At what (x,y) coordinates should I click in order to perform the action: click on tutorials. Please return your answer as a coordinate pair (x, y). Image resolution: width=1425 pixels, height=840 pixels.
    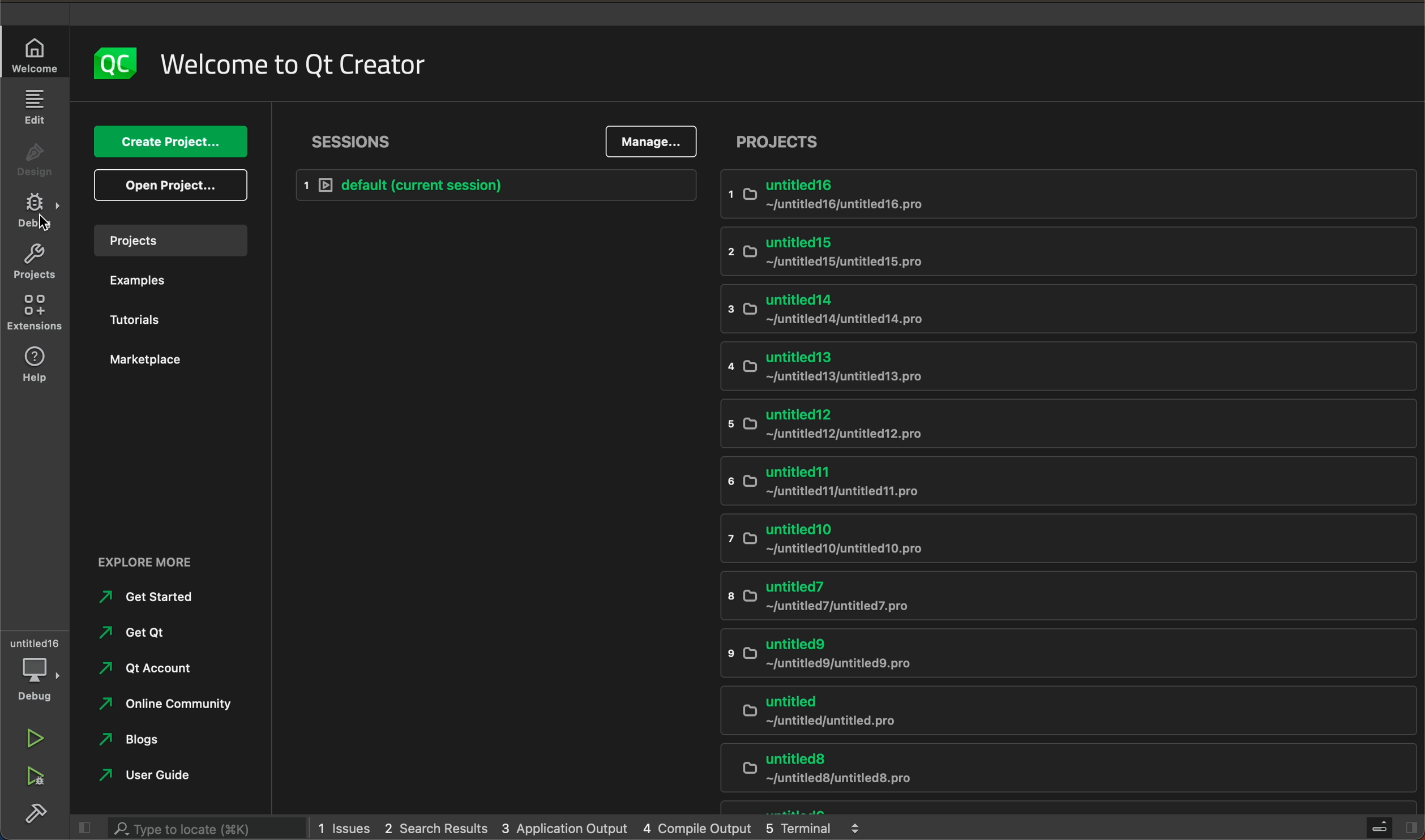
    Looking at the image, I should click on (166, 322).